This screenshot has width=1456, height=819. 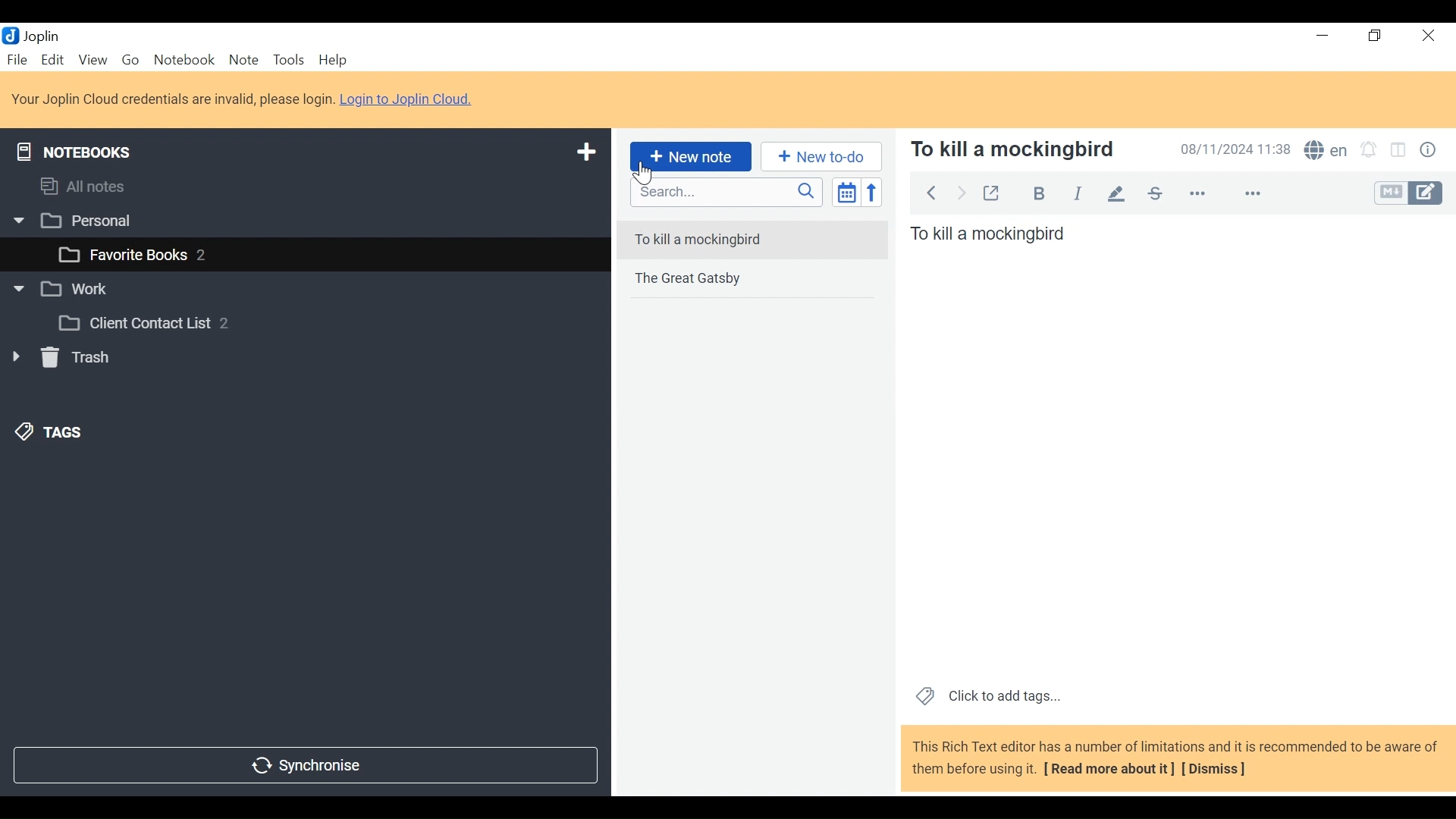 What do you see at coordinates (287, 61) in the screenshot?
I see `Tools` at bounding box center [287, 61].